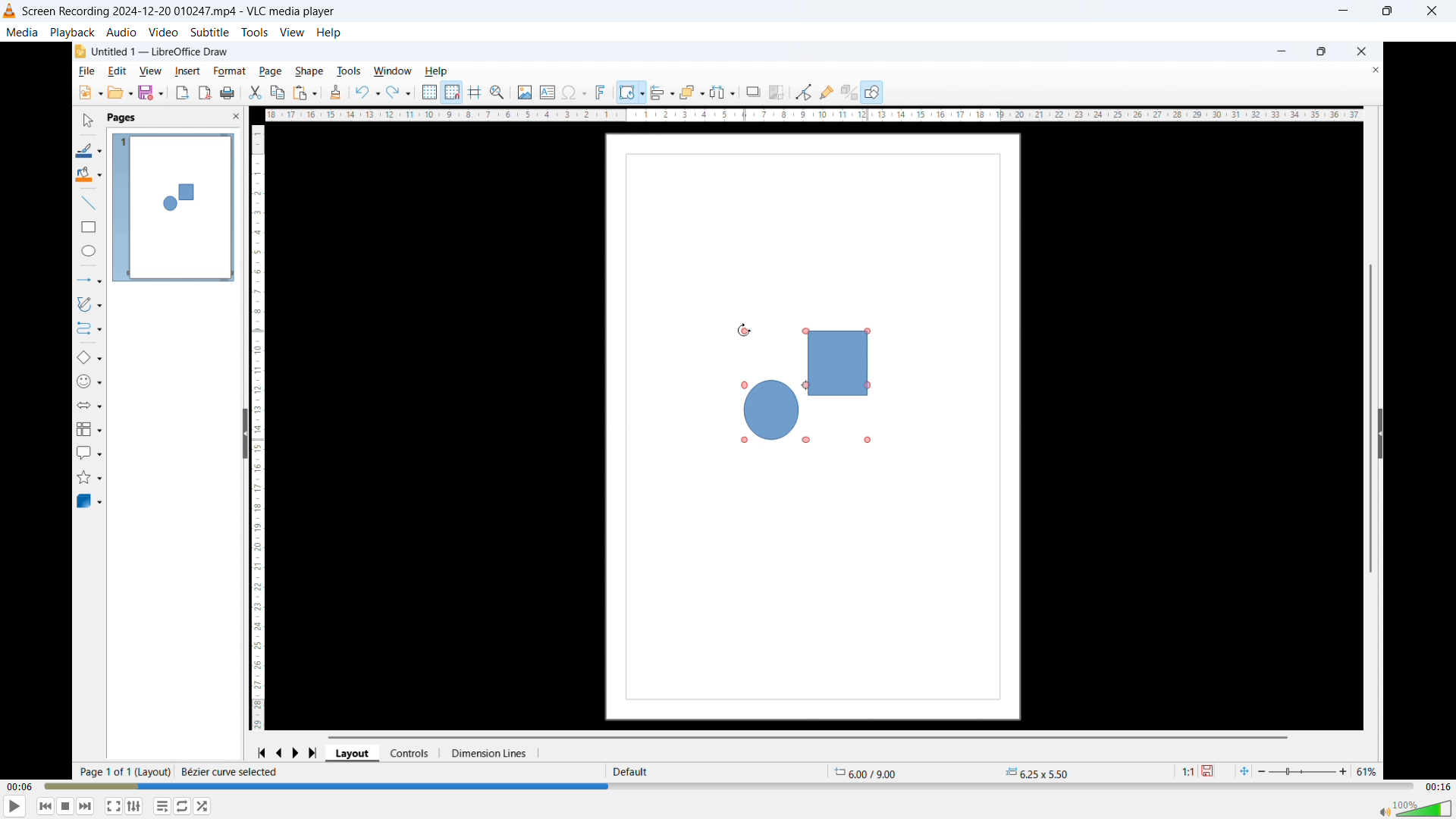 This screenshot has width=1456, height=819. I want to click on random , so click(202, 806).